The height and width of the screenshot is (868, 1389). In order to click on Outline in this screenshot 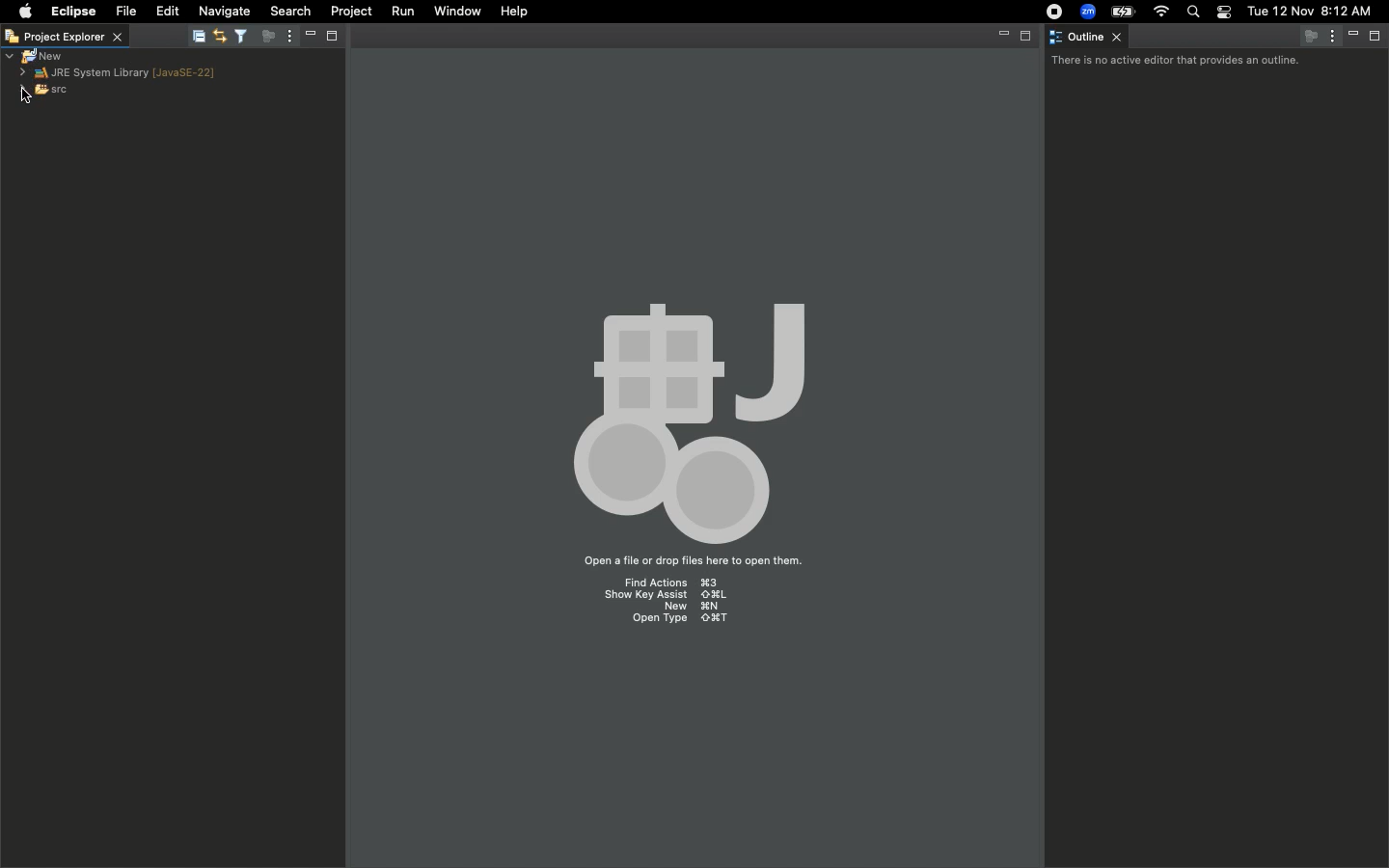, I will do `click(1090, 38)`.